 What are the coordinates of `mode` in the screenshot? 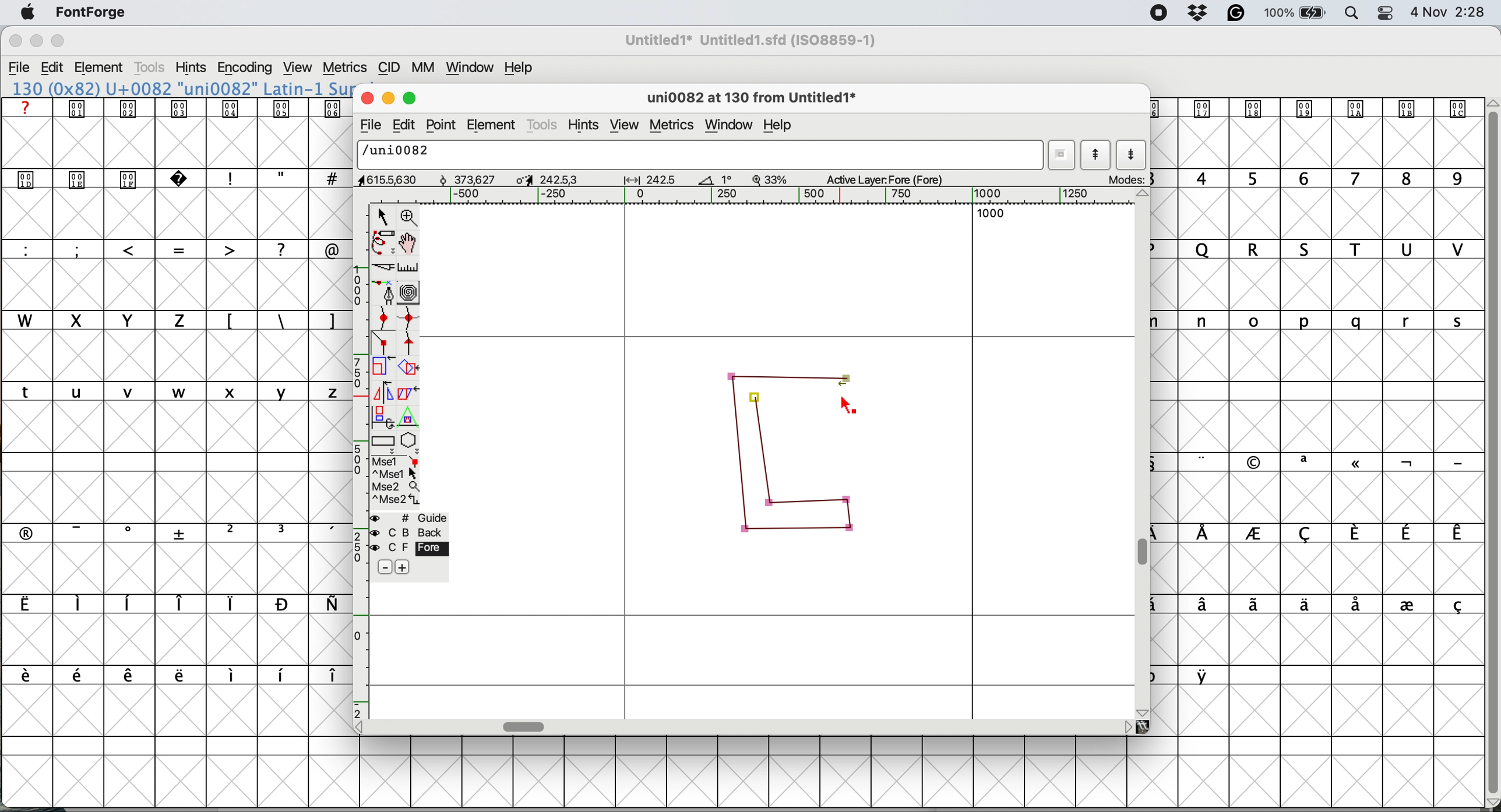 It's located at (1124, 179).